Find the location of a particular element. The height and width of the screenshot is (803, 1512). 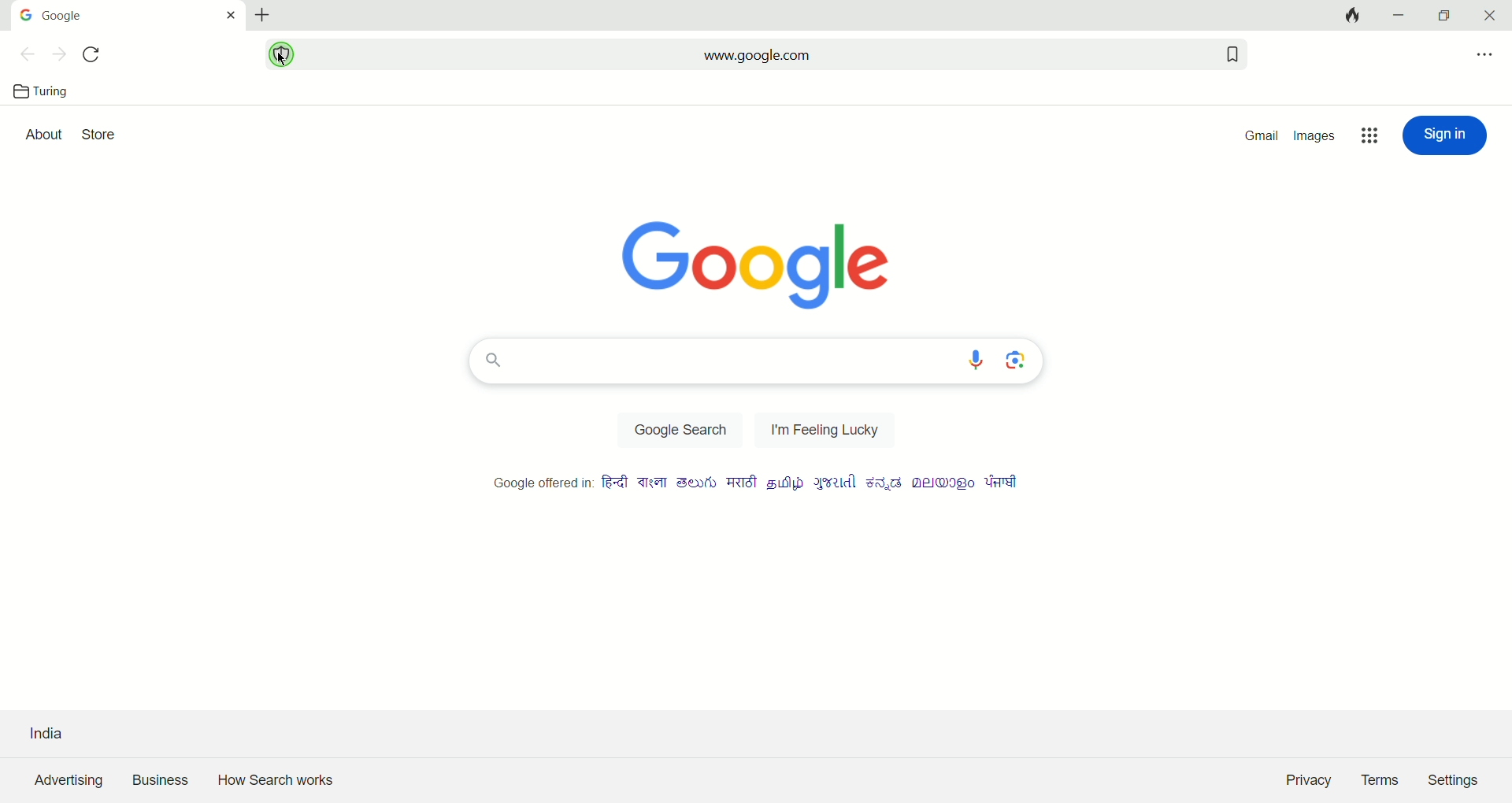

Google icon is located at coordinates (27, 14).